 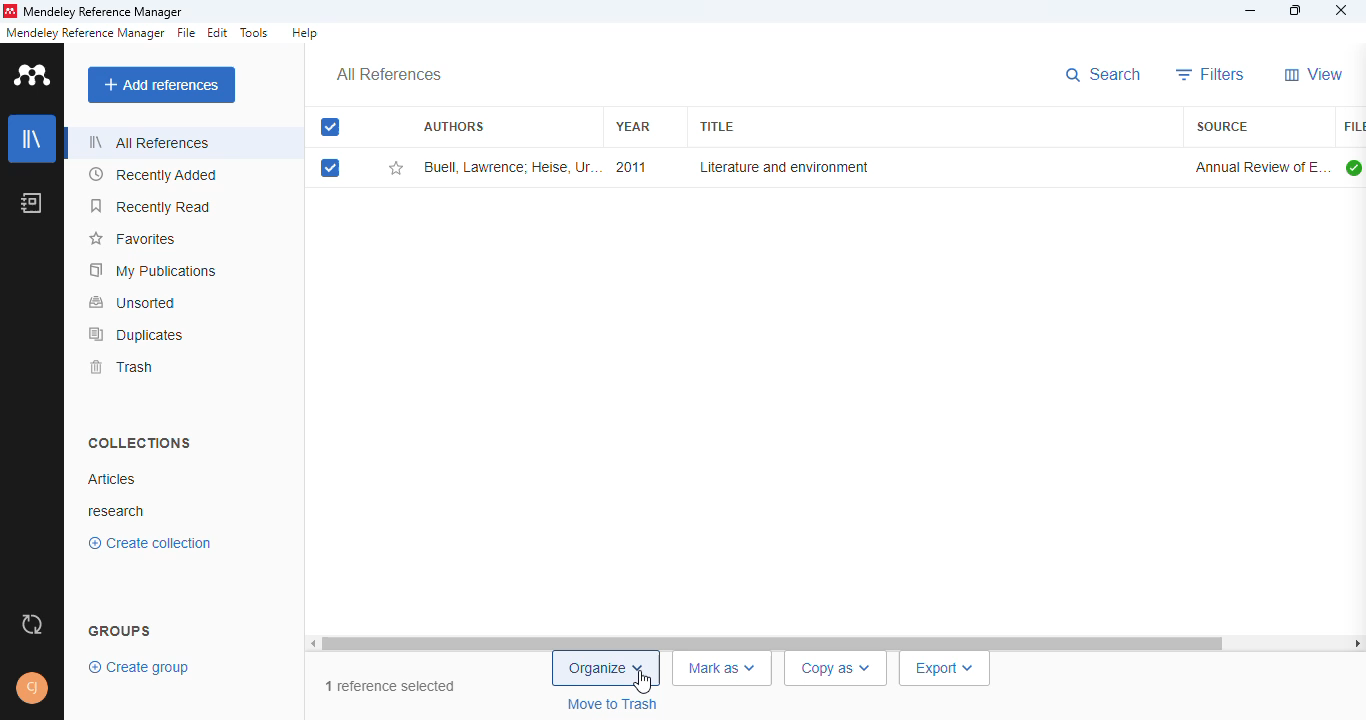 I want to click on library, so click(x=31, y=139).